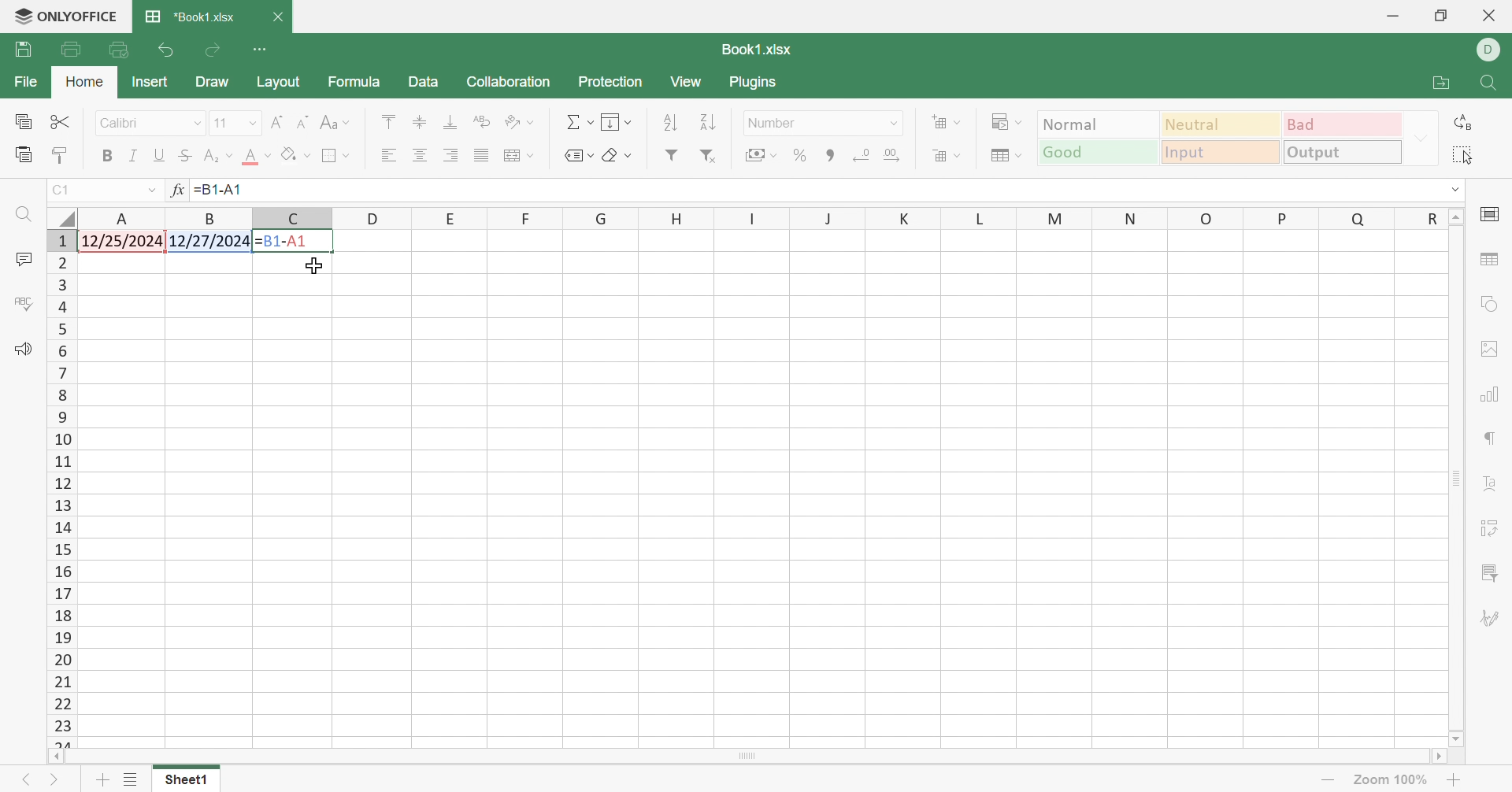 This screenshot has height=792, width=1512. I want to click on Scroll Left, so click(55, 758).